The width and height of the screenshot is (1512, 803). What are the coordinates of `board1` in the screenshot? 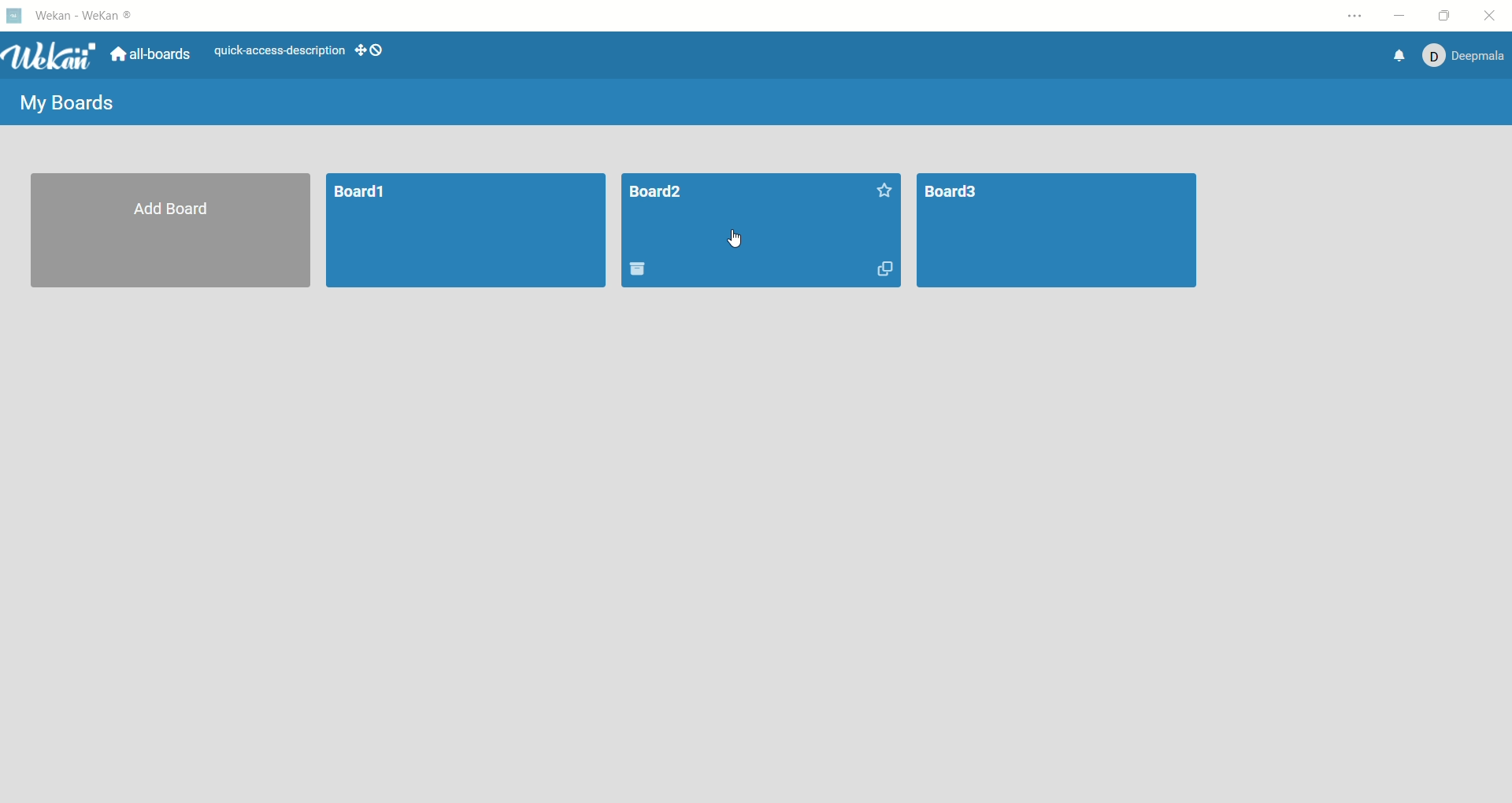 It's located at (465, 231).